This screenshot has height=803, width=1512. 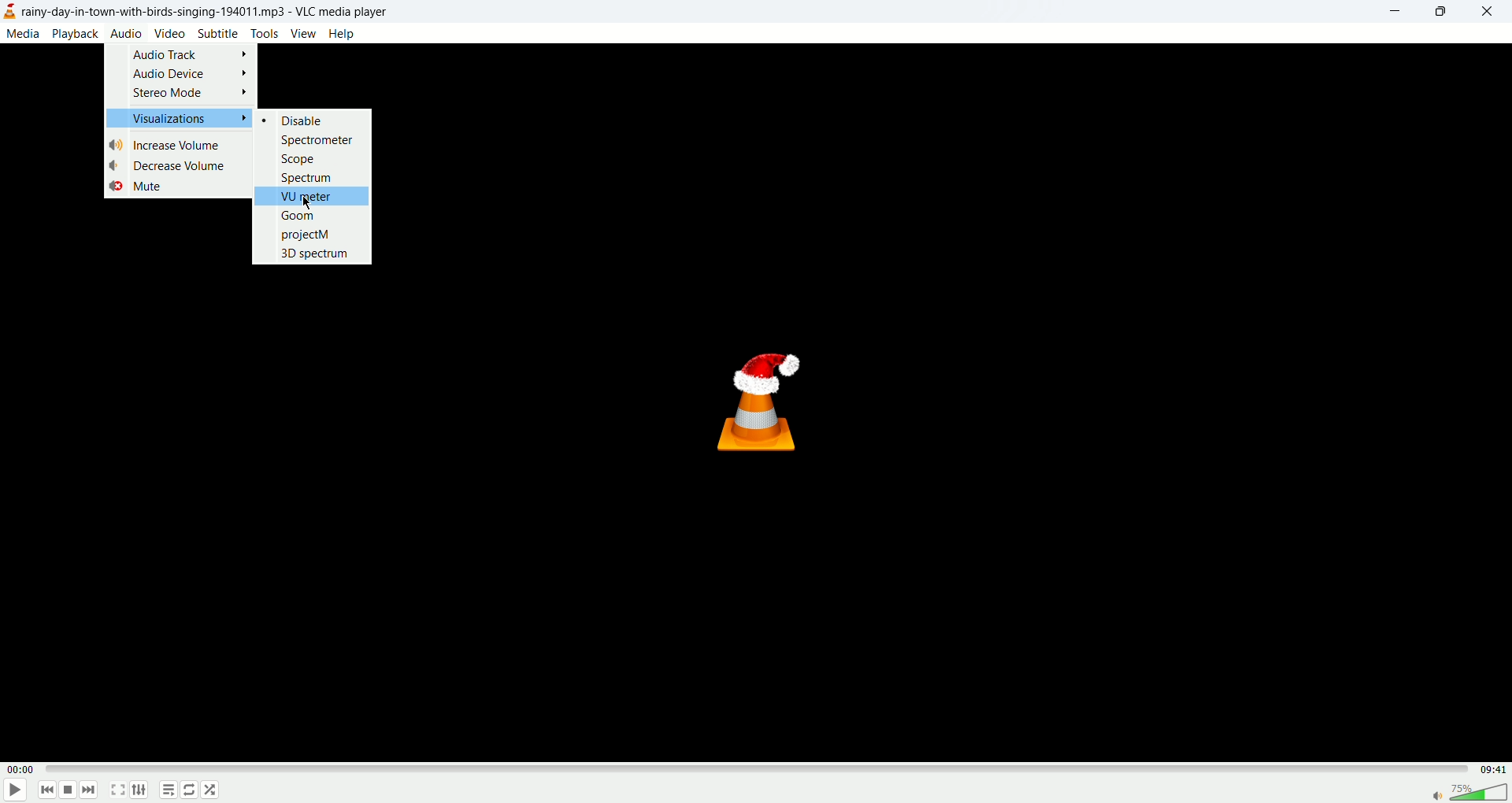 I want to click on fullscreen, so click(x=120, y=789).